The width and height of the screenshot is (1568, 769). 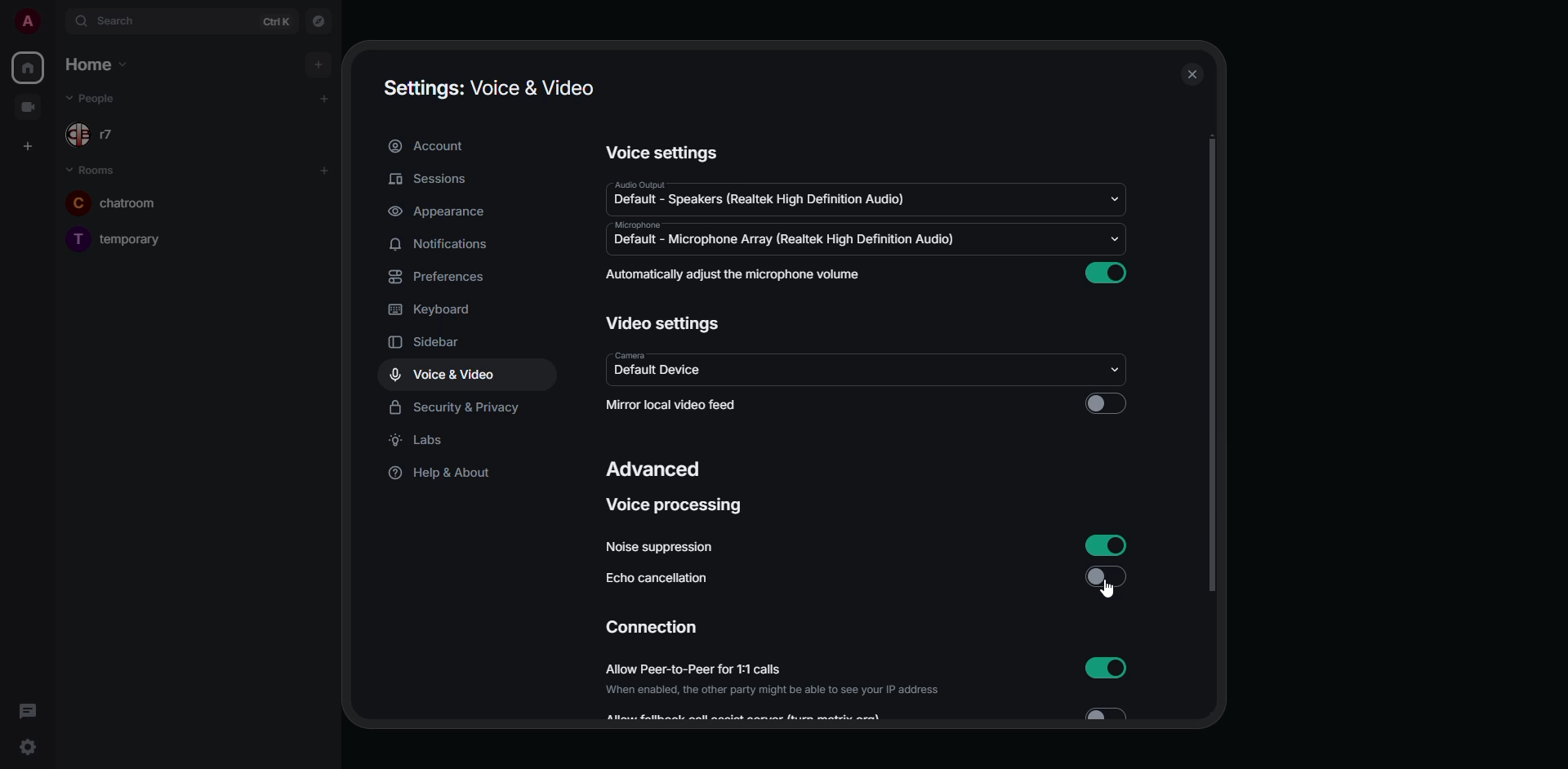 I want to click on audio output, so click(x=638, y=184).